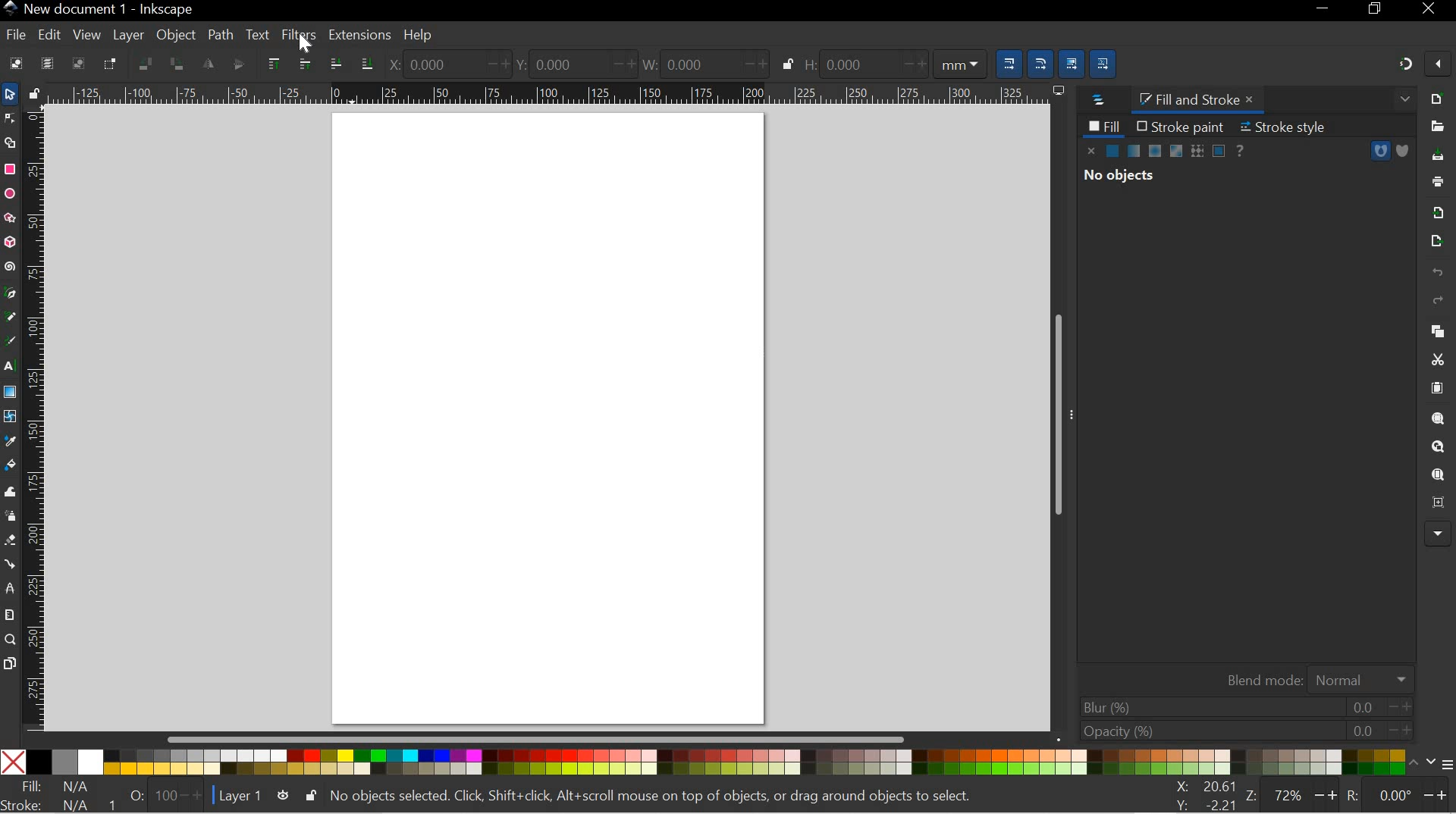 Image resolution: width=1456 pixels, height=814 pixels. What do you see at coordinates (335, 63) in the screenshot?
I see `LOWER SELECTION ONE STEP` at bounding box center [335, 63].